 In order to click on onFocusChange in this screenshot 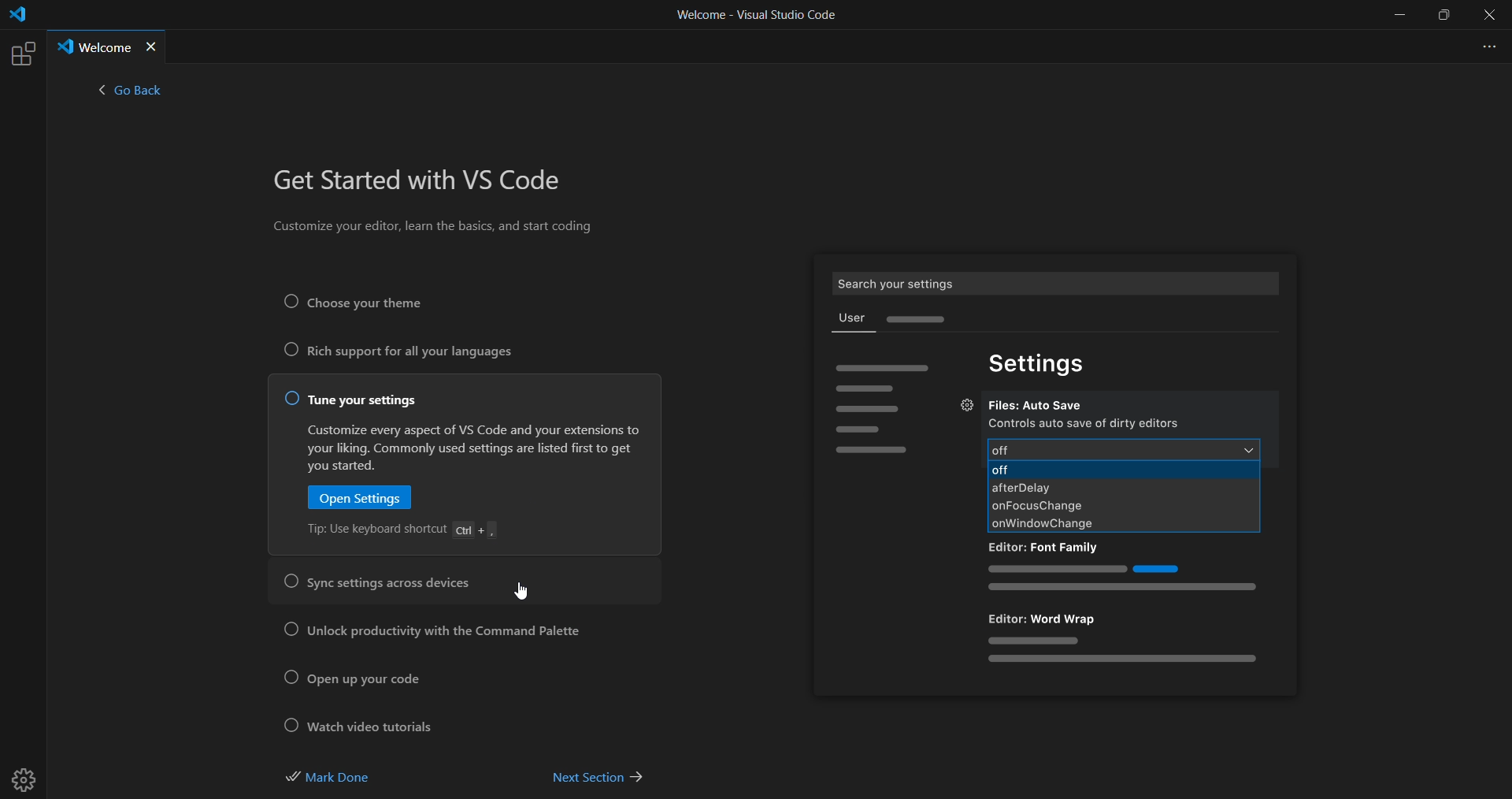, I will do `click(1051, 506)`.